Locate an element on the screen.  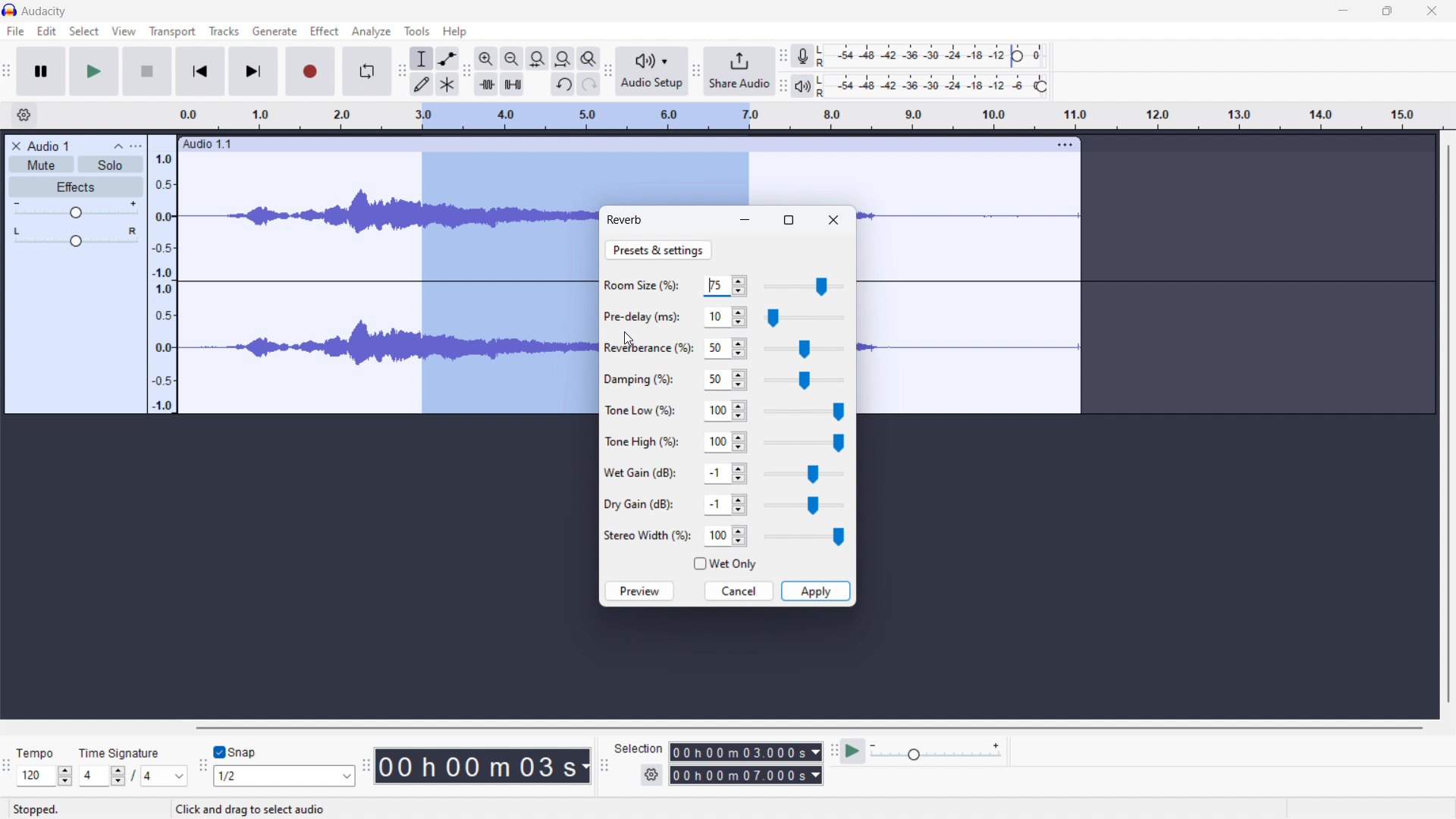
audio setup toolbar is located at coordinates (608, 71).